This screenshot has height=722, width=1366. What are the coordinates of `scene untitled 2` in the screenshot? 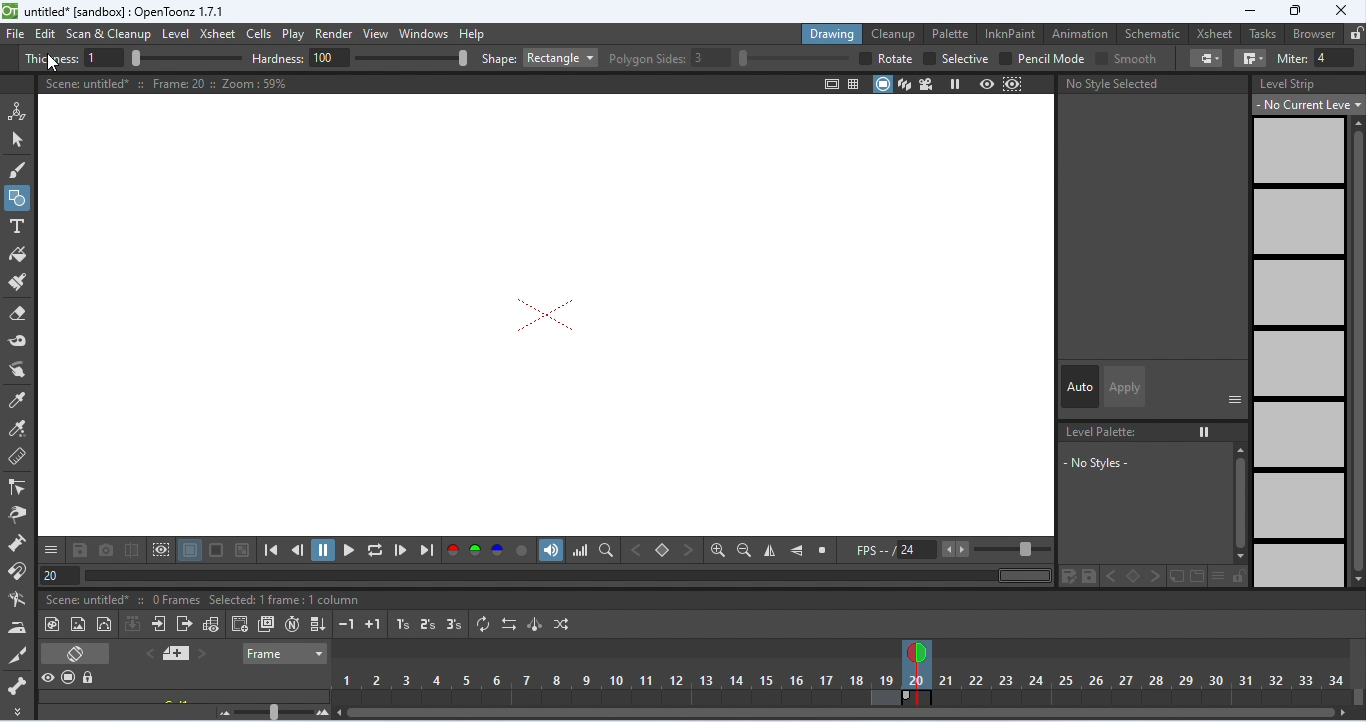 It's located at (129, 696).